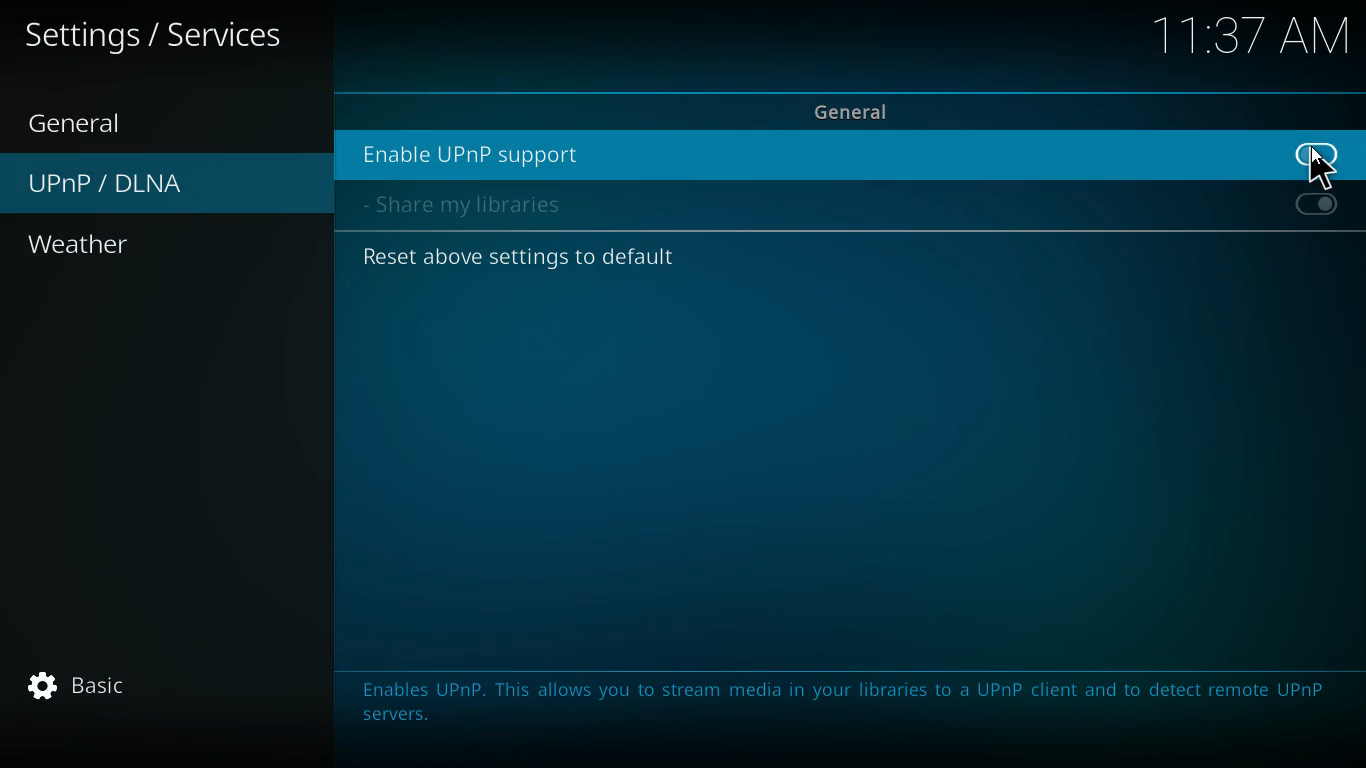 This screenshot has width=1366, height=768. Describe the element at coordinates (101, 122) in the screenshot. I see `general` at that location.